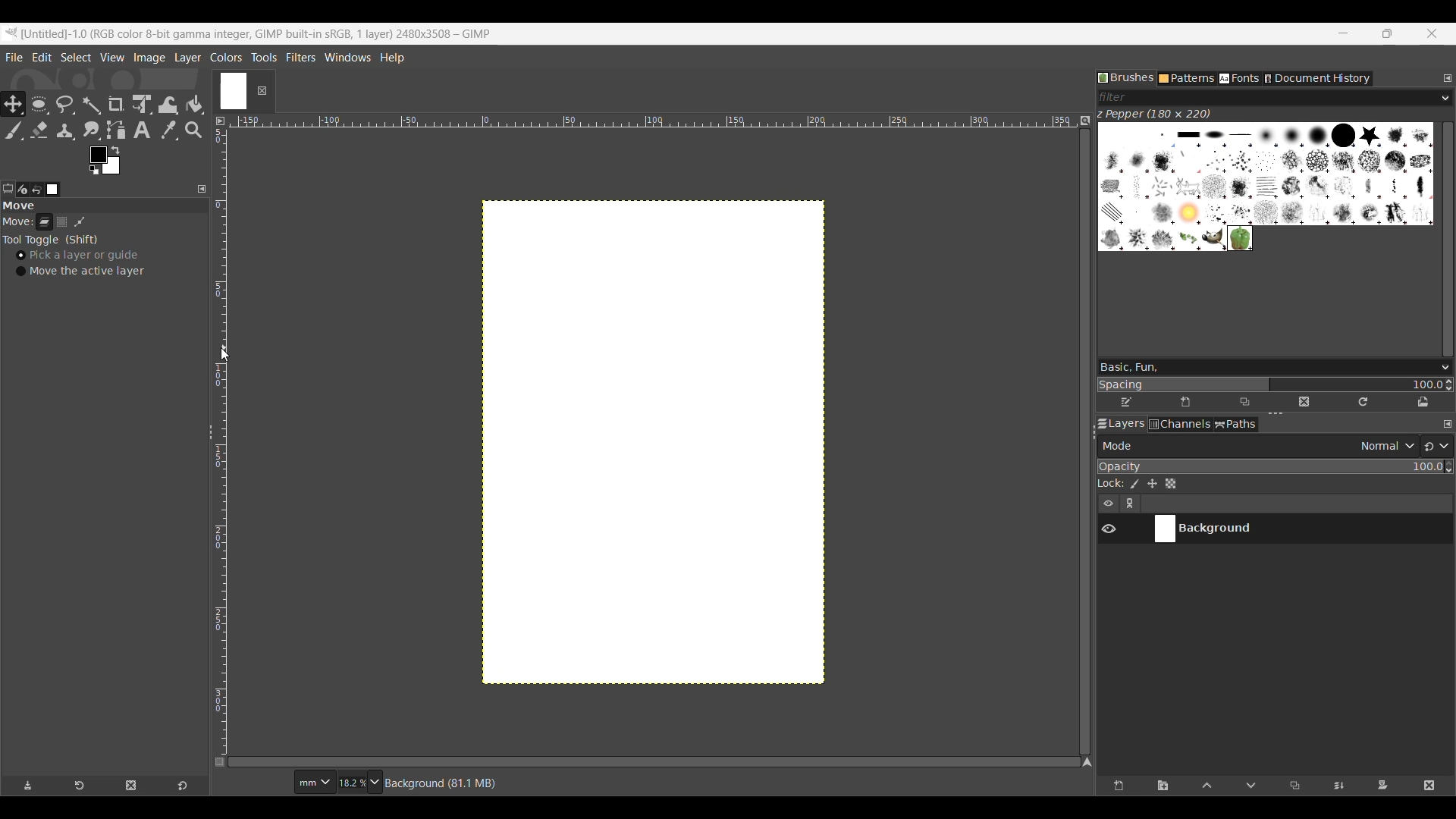  I want to click on Close interface, so click(1431, 33).